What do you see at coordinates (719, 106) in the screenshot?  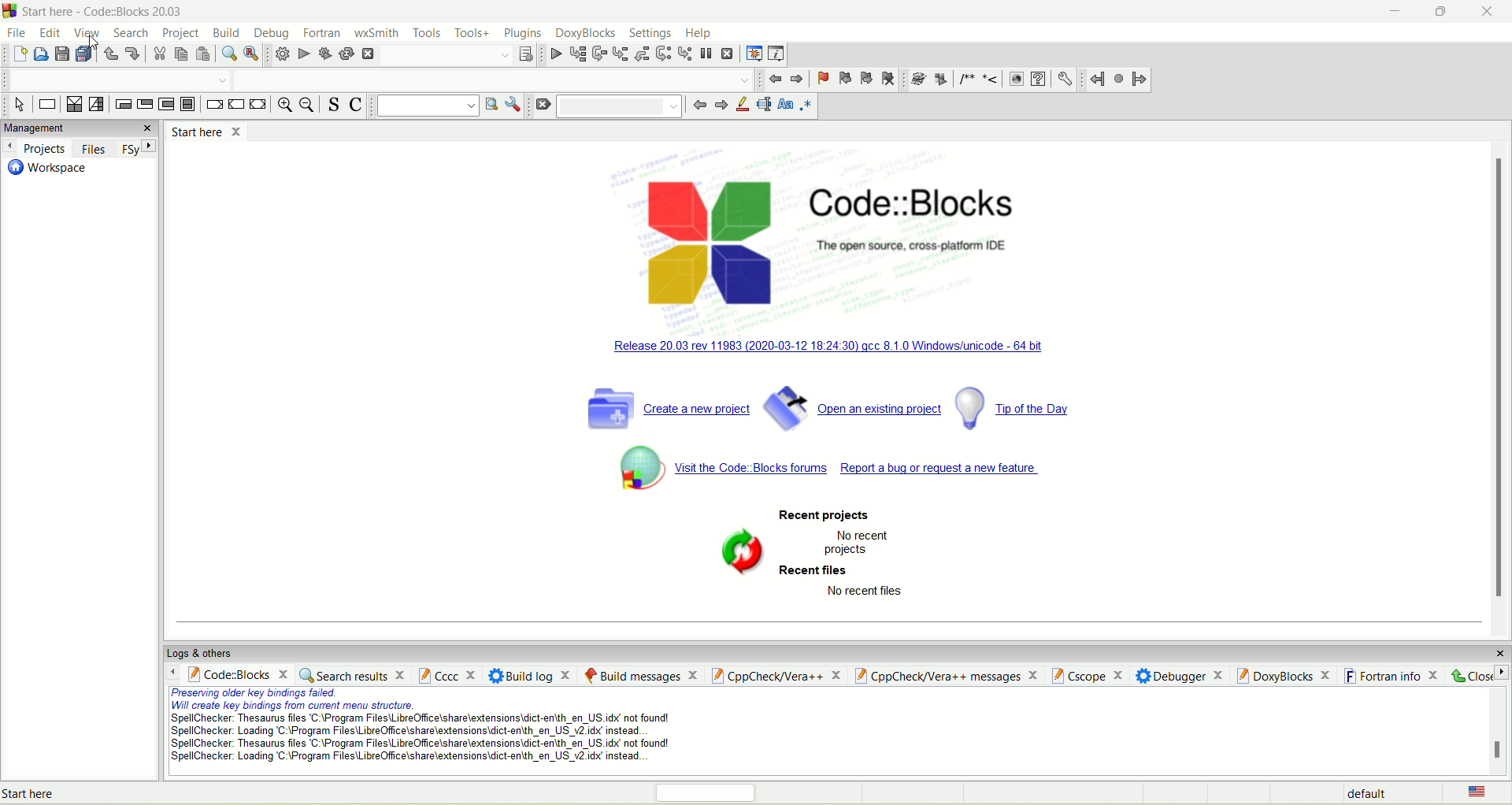 I see `next` at bounding box center [719, 106].